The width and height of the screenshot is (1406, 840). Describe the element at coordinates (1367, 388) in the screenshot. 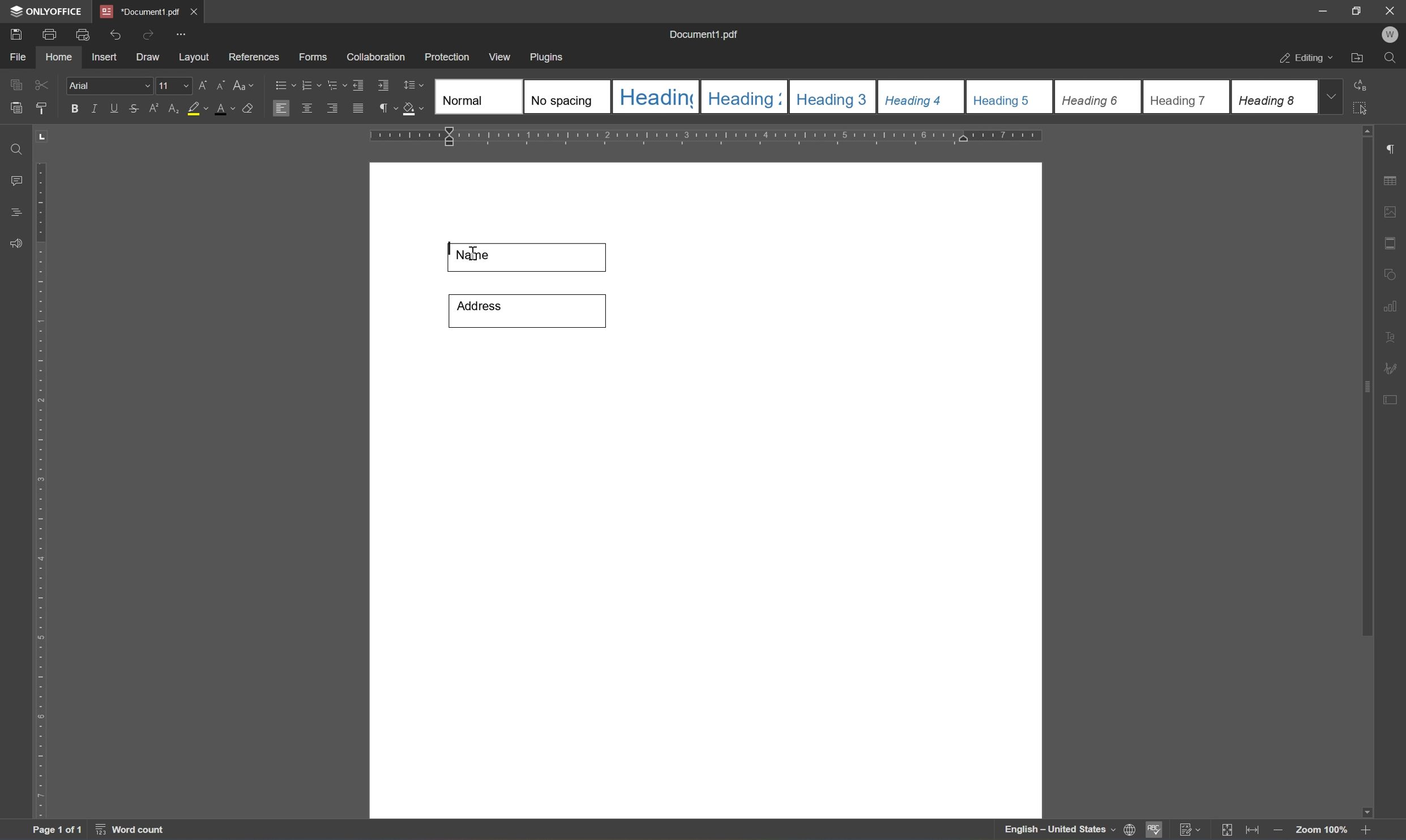

I see `scroll bar` at that location.